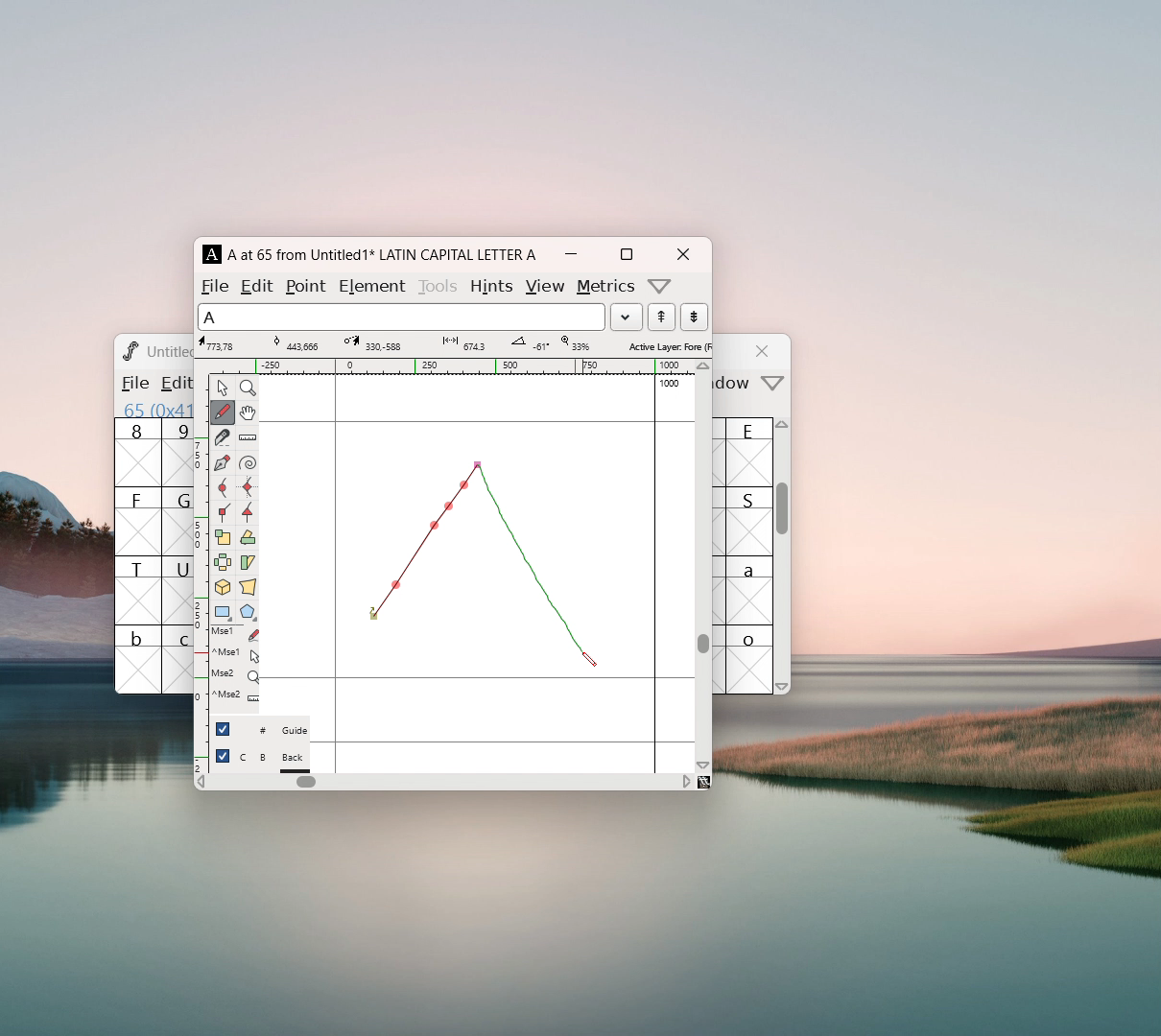 Image resolution: width=1161 pixels, height=1036 pixels. What do you see at coordinates (606, 287) in the screenshot?
I see `metrics` at bounding box center [606, 287].